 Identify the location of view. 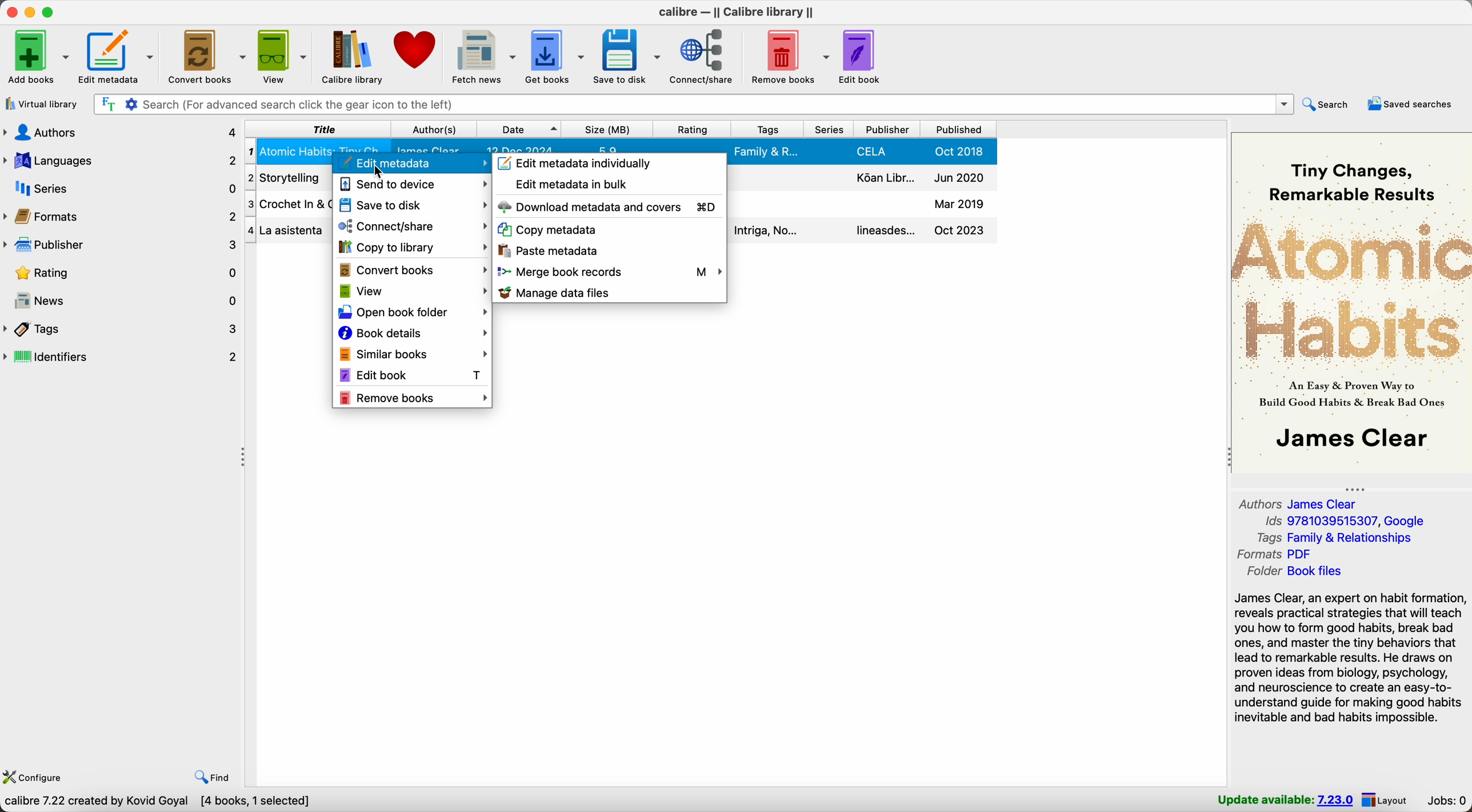
(284, 55).